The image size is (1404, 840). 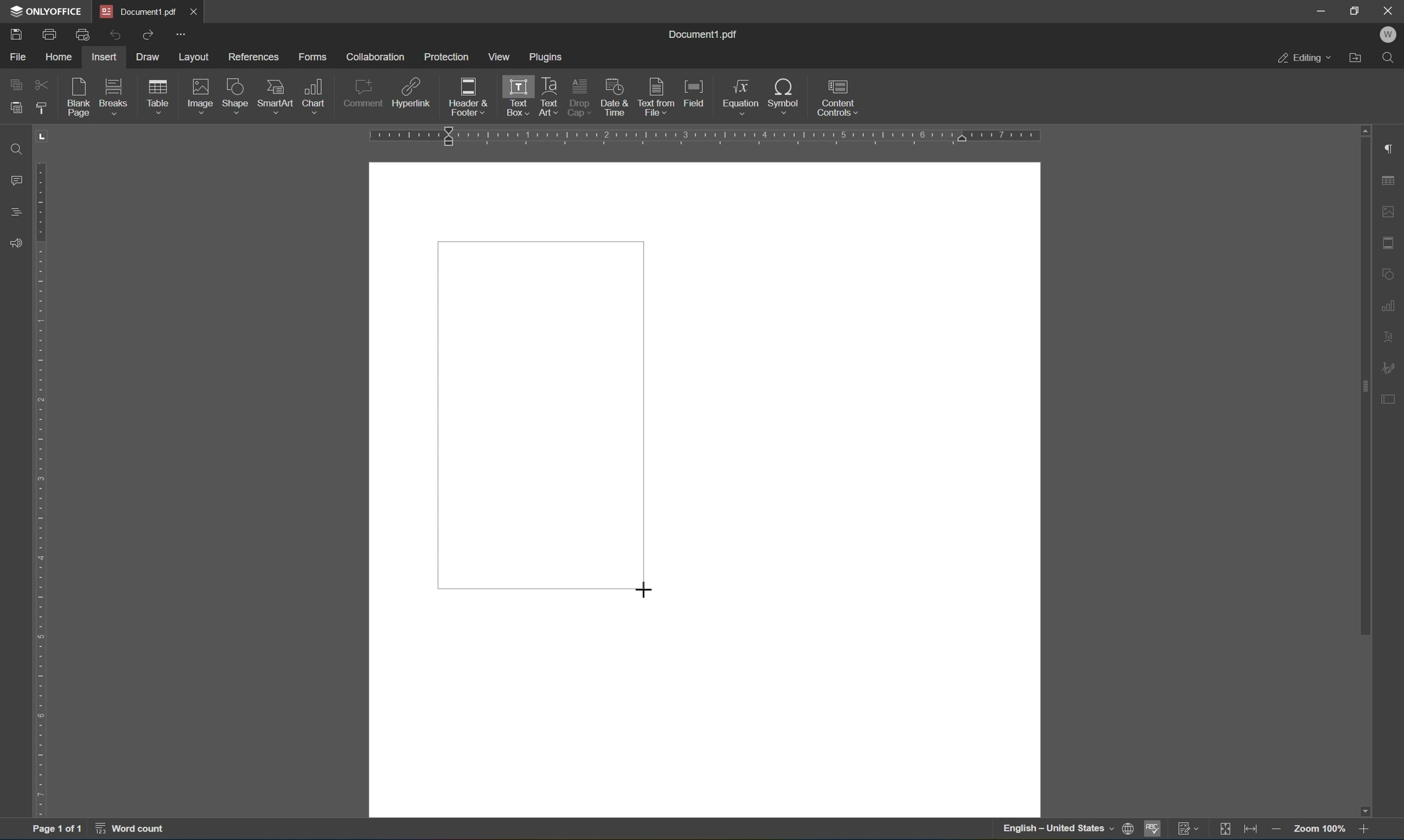 I want to click on Restore down, so click(x=1355, y=11).